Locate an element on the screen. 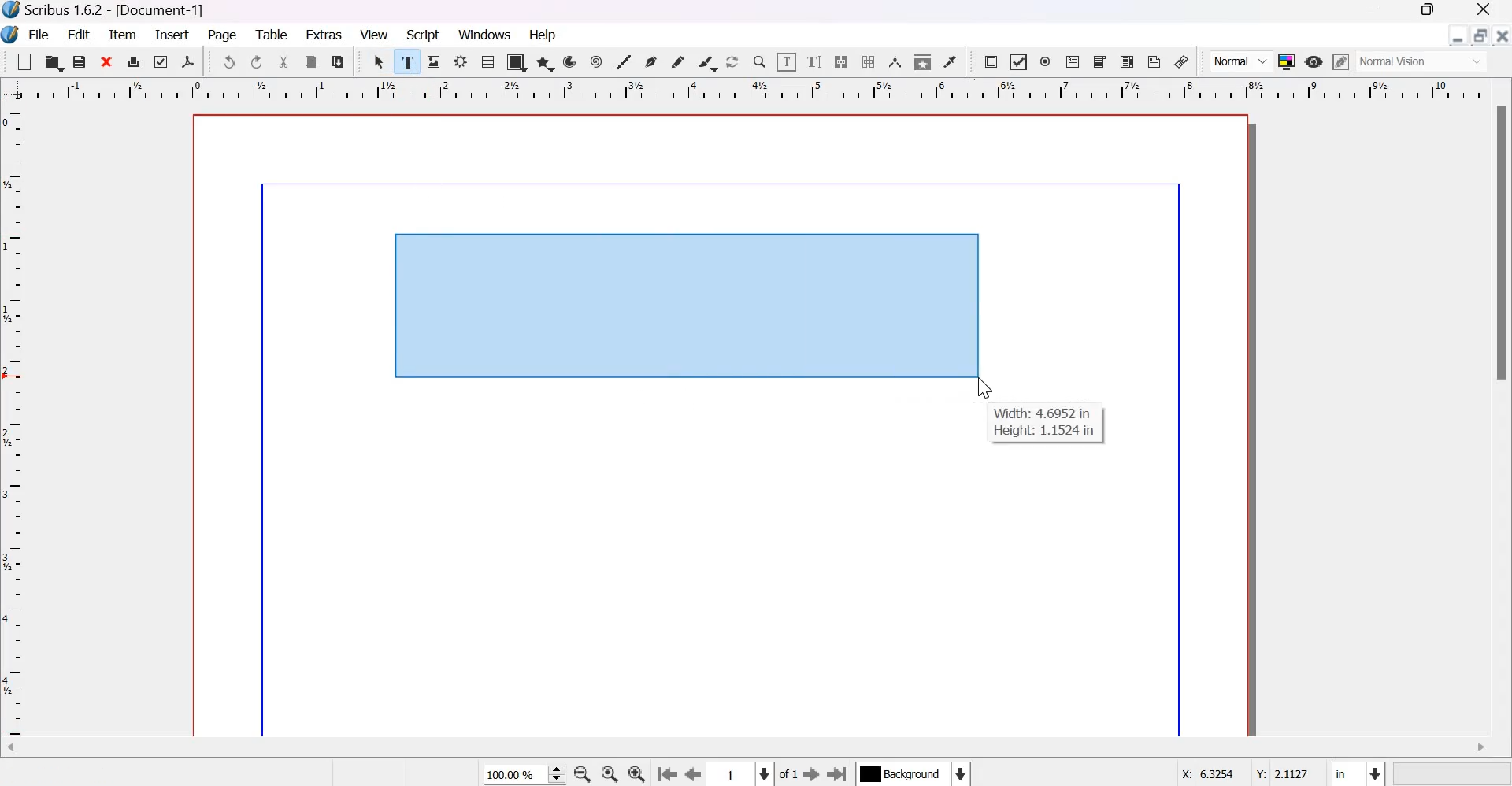   is located at coordinates (271, 35).